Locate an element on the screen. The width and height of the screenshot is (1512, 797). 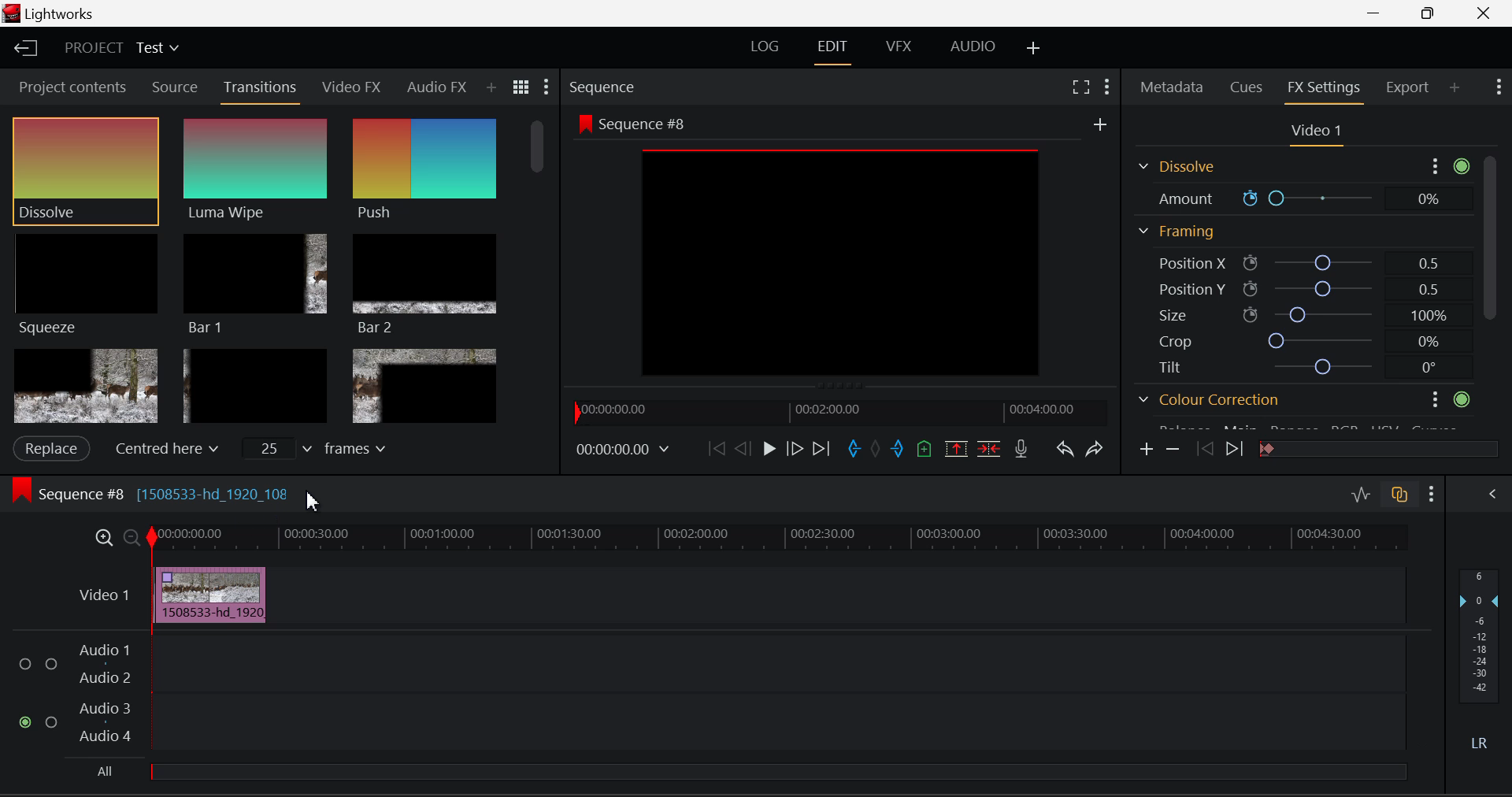
Video Settings is located at coordinates (1314, 132).